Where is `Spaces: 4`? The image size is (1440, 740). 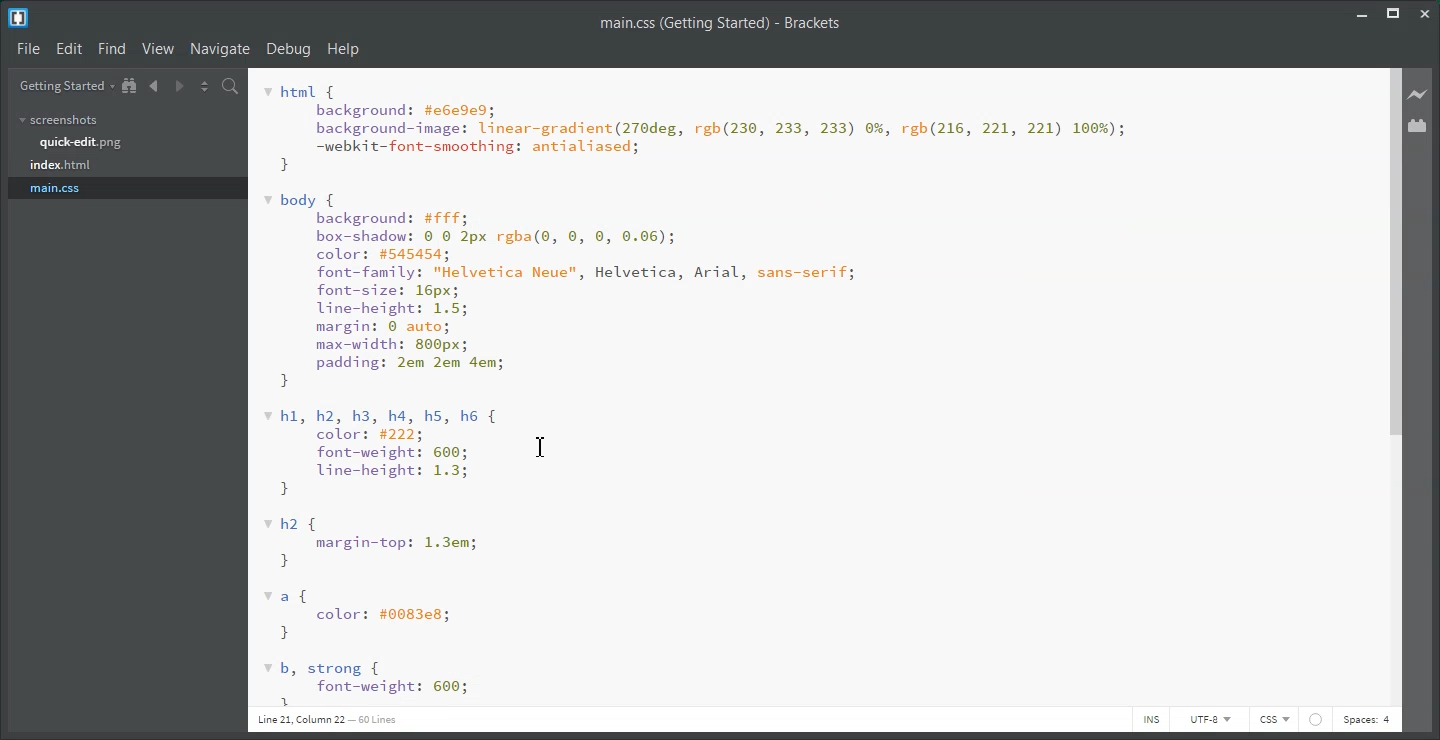 Spaces: 4 is located at coordinates (1373, 721).